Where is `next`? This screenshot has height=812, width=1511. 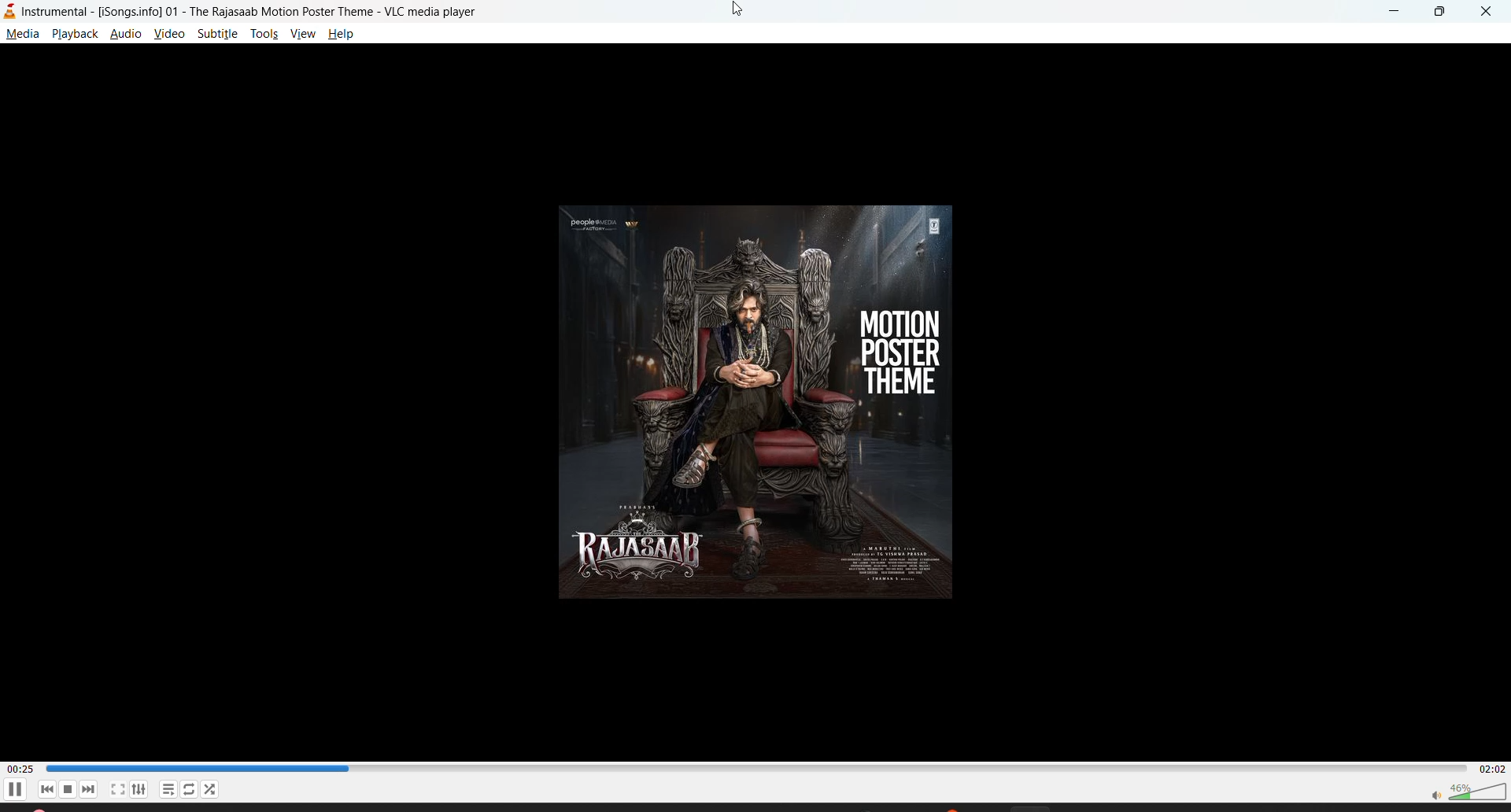 next is located at coordinates (92, 790).